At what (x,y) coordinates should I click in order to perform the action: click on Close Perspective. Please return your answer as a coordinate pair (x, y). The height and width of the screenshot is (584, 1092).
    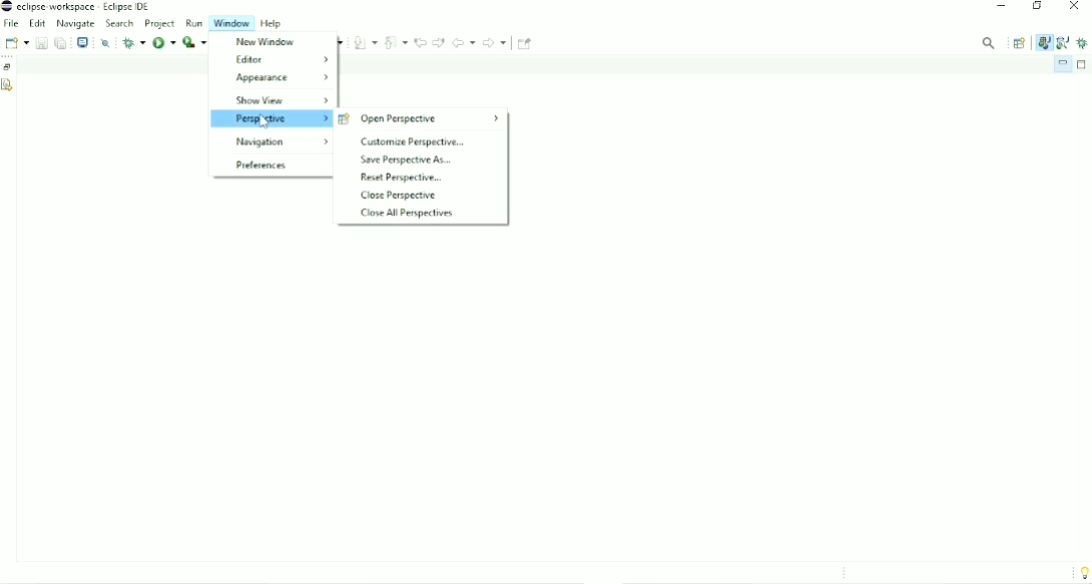
    Looking at the image, I should click on (399, 196).